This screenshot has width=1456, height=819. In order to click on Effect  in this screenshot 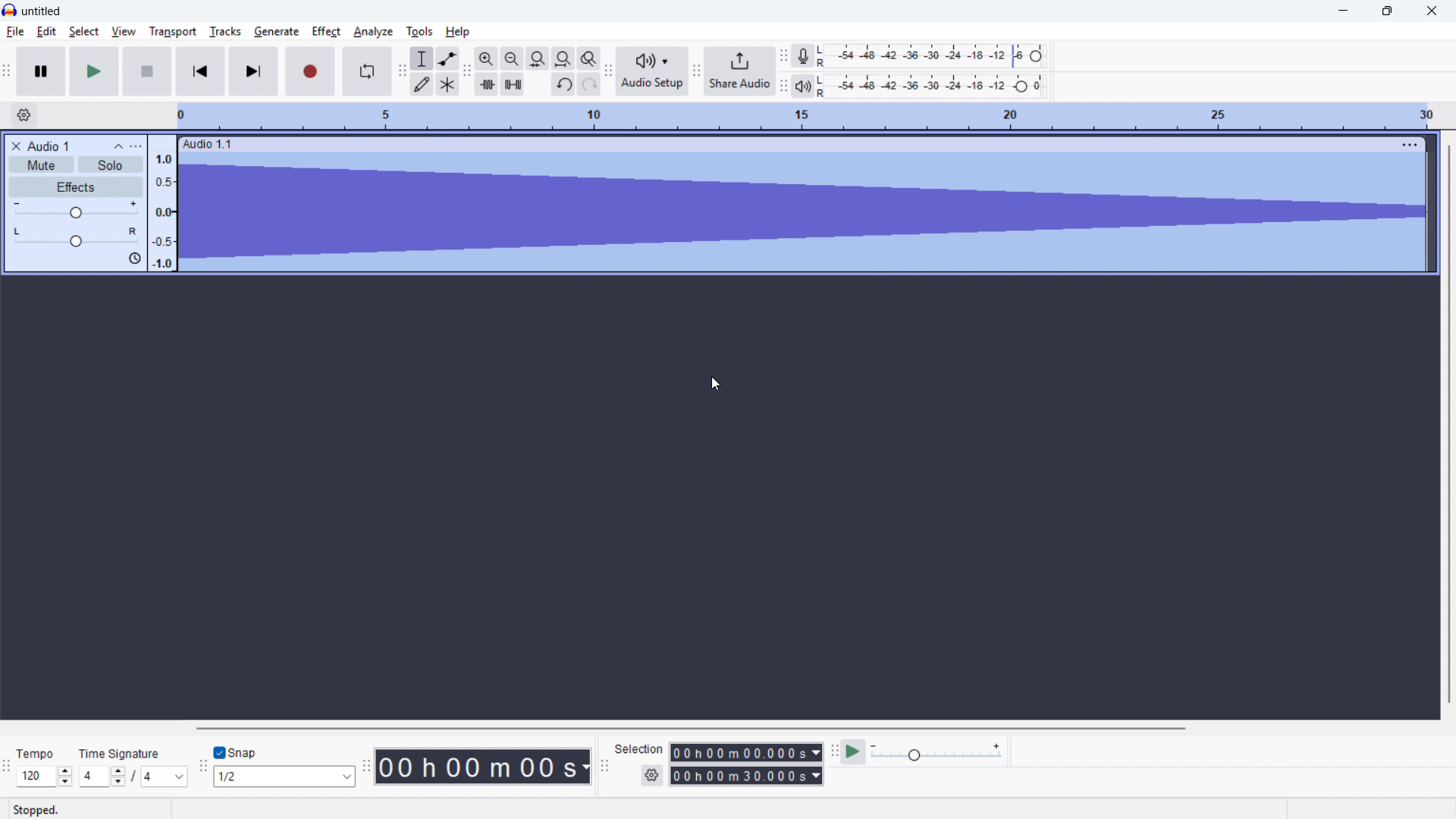, I will do `click(325, 31)`.